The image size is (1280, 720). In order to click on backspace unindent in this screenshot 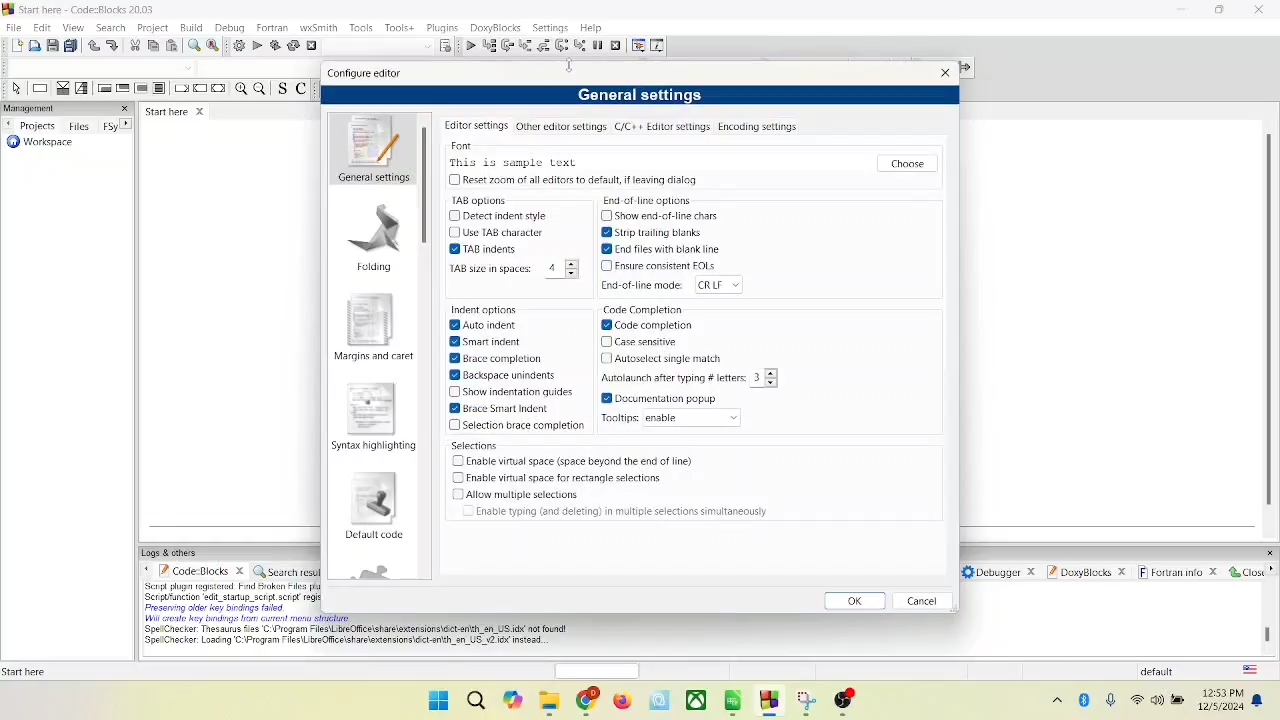, I will do `click(506, 376)`.